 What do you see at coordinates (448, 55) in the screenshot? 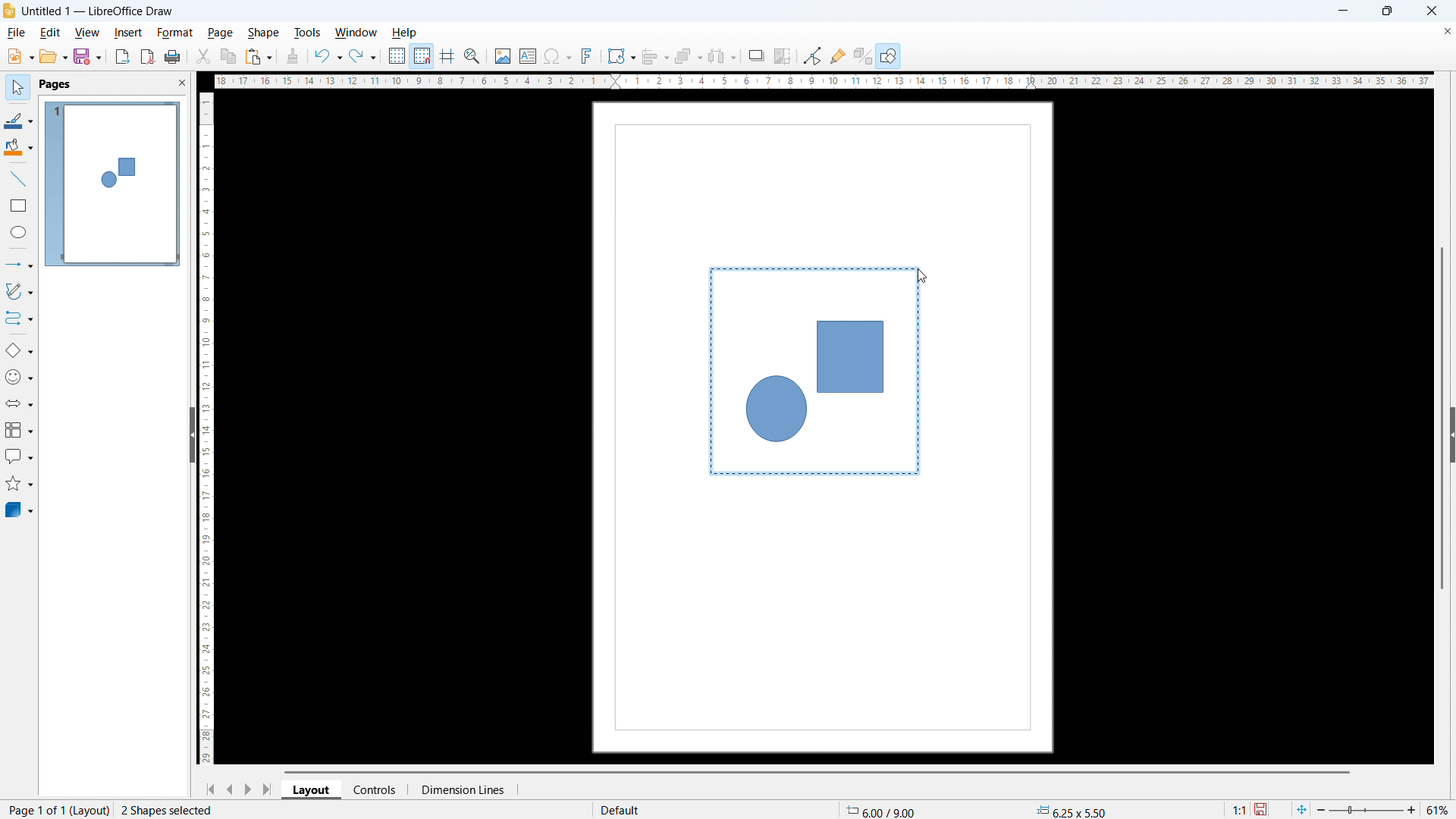
I see `guidelines while moving` at bounding box center [448, 55].